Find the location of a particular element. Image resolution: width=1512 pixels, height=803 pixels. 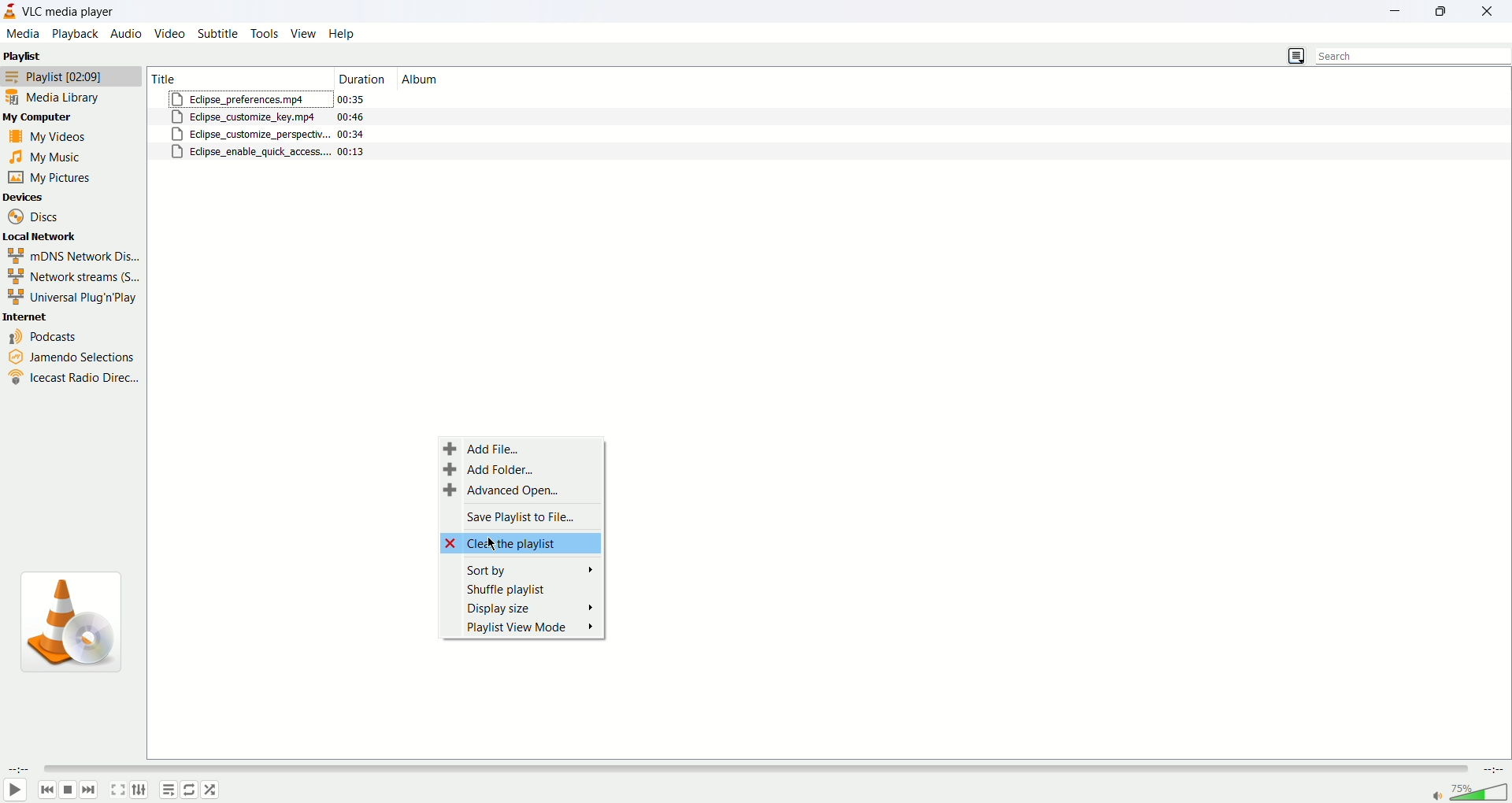

maximize is located at coordinates (1450, 13).